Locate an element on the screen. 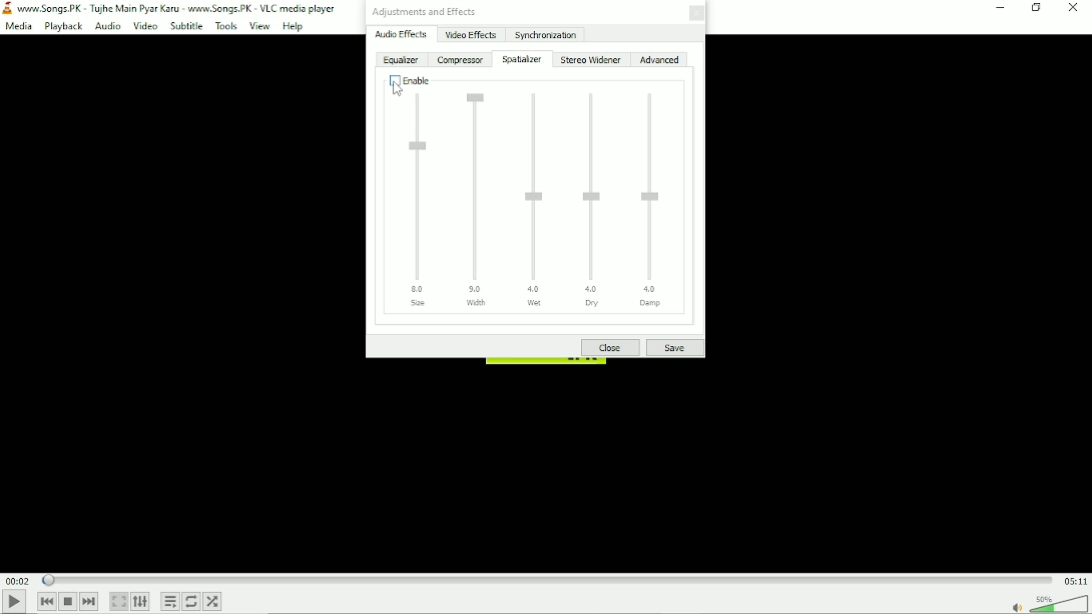  Advanced is located at coordinates (659, 60).